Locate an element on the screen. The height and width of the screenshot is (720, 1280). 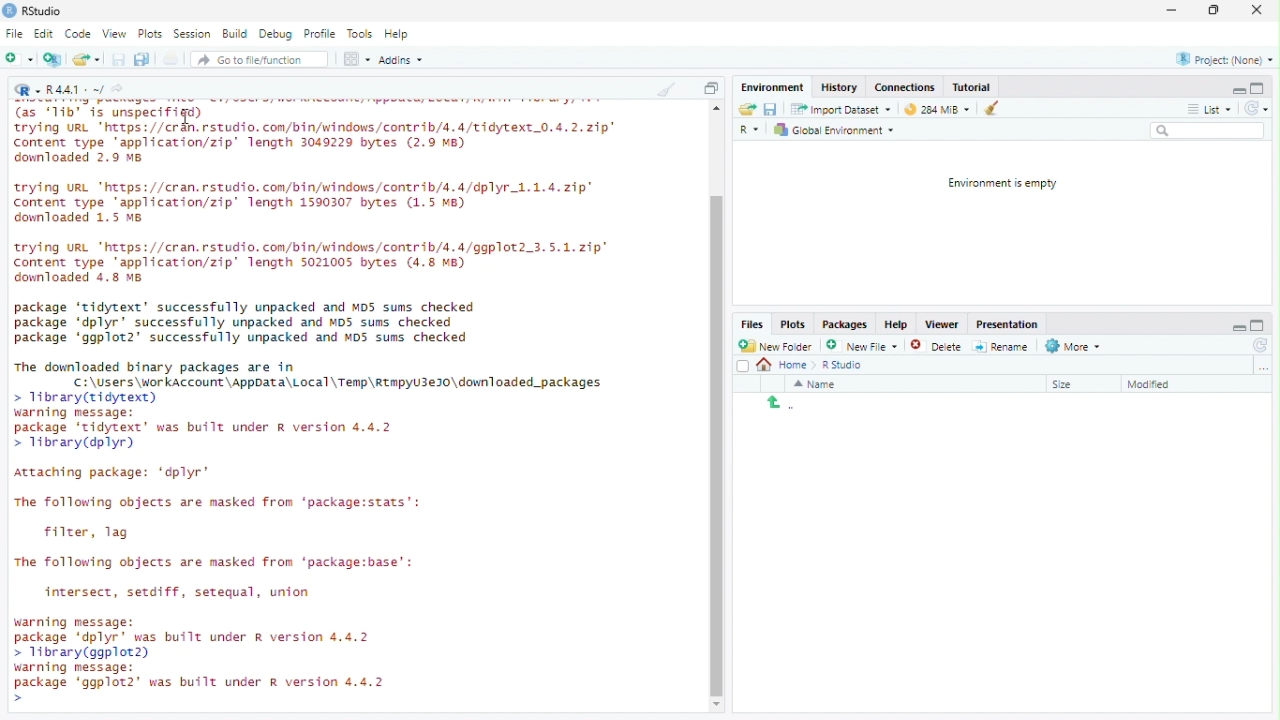
R is located at coordinates (752, 131).